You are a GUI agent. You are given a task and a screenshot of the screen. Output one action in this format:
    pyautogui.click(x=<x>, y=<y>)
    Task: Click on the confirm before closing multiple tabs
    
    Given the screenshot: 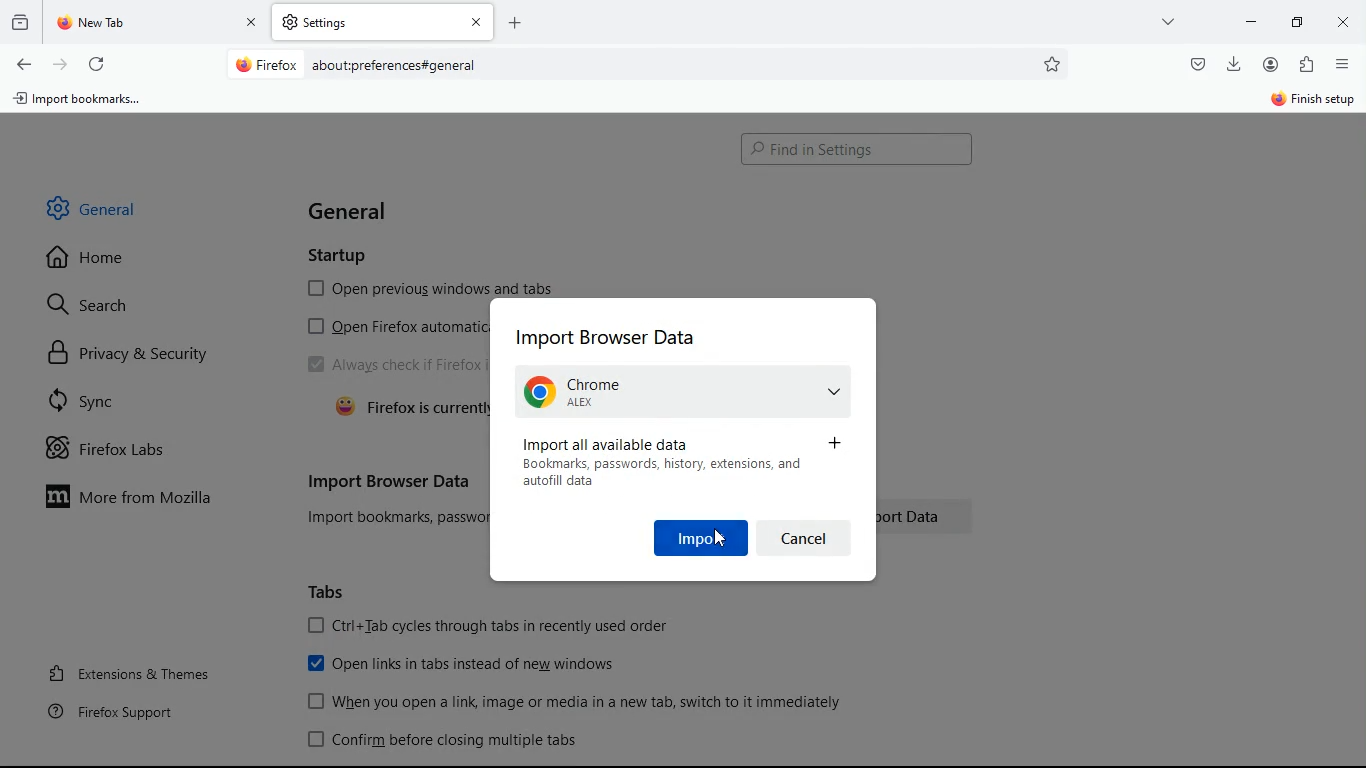 What is the action you would take?
    pyautogui.click(x=448, y=742)
    